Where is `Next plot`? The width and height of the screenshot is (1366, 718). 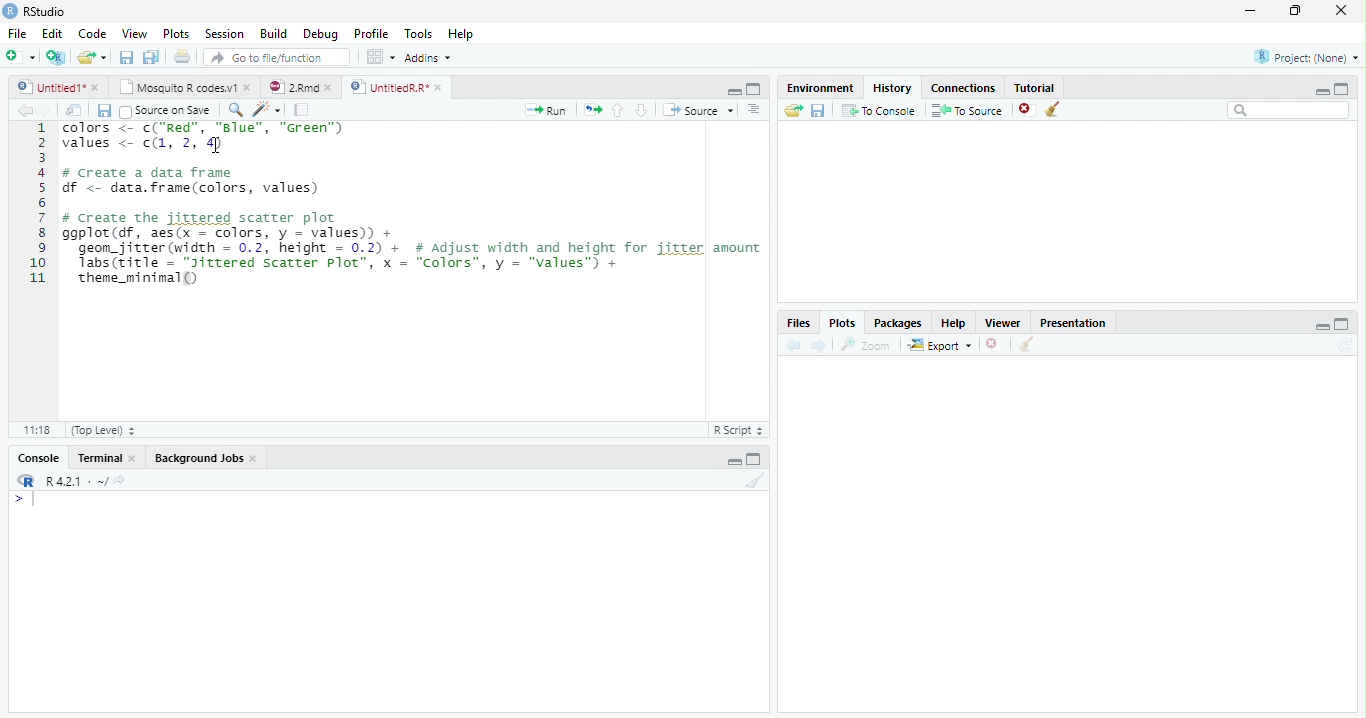
Next plot is located at coordinates (818, 345).